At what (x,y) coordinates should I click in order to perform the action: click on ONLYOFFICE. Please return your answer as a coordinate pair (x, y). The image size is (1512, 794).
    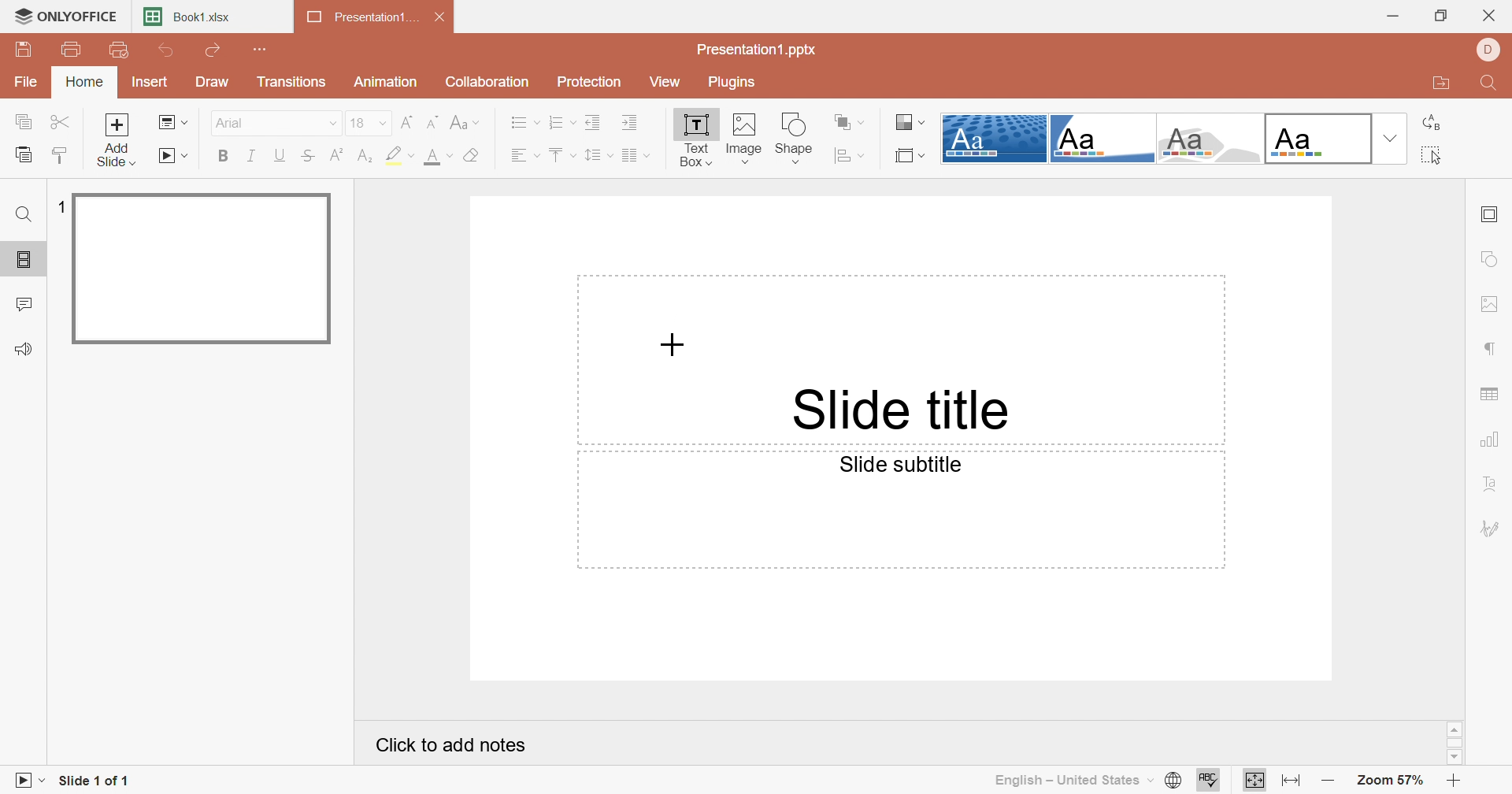
    Looking at the image, I should click on (64, 16).